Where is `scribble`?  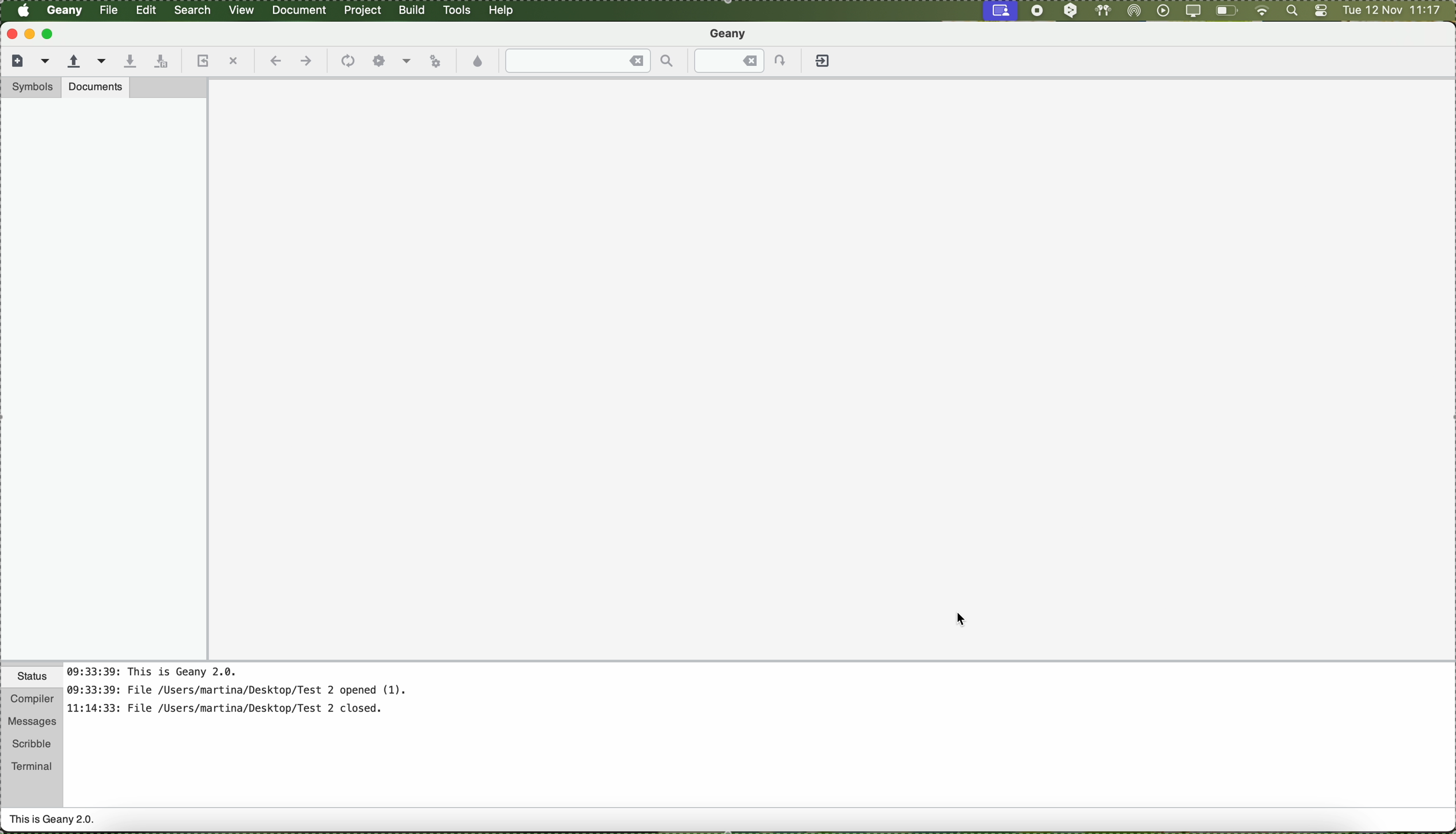 scribble is located at coordinates (32, 744).